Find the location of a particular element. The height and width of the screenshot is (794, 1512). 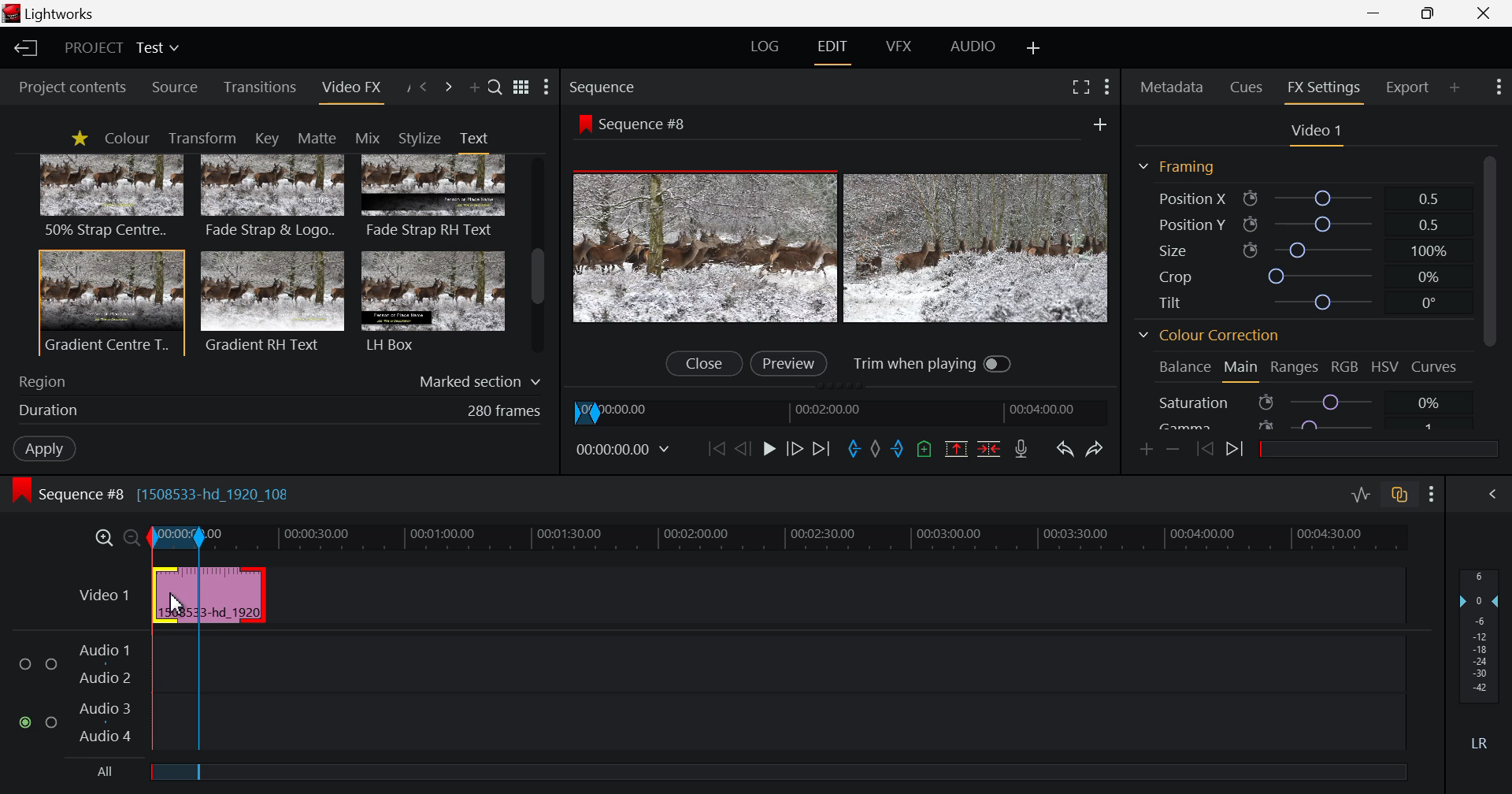

Add keyframe is located at coordinates (1143, 448).